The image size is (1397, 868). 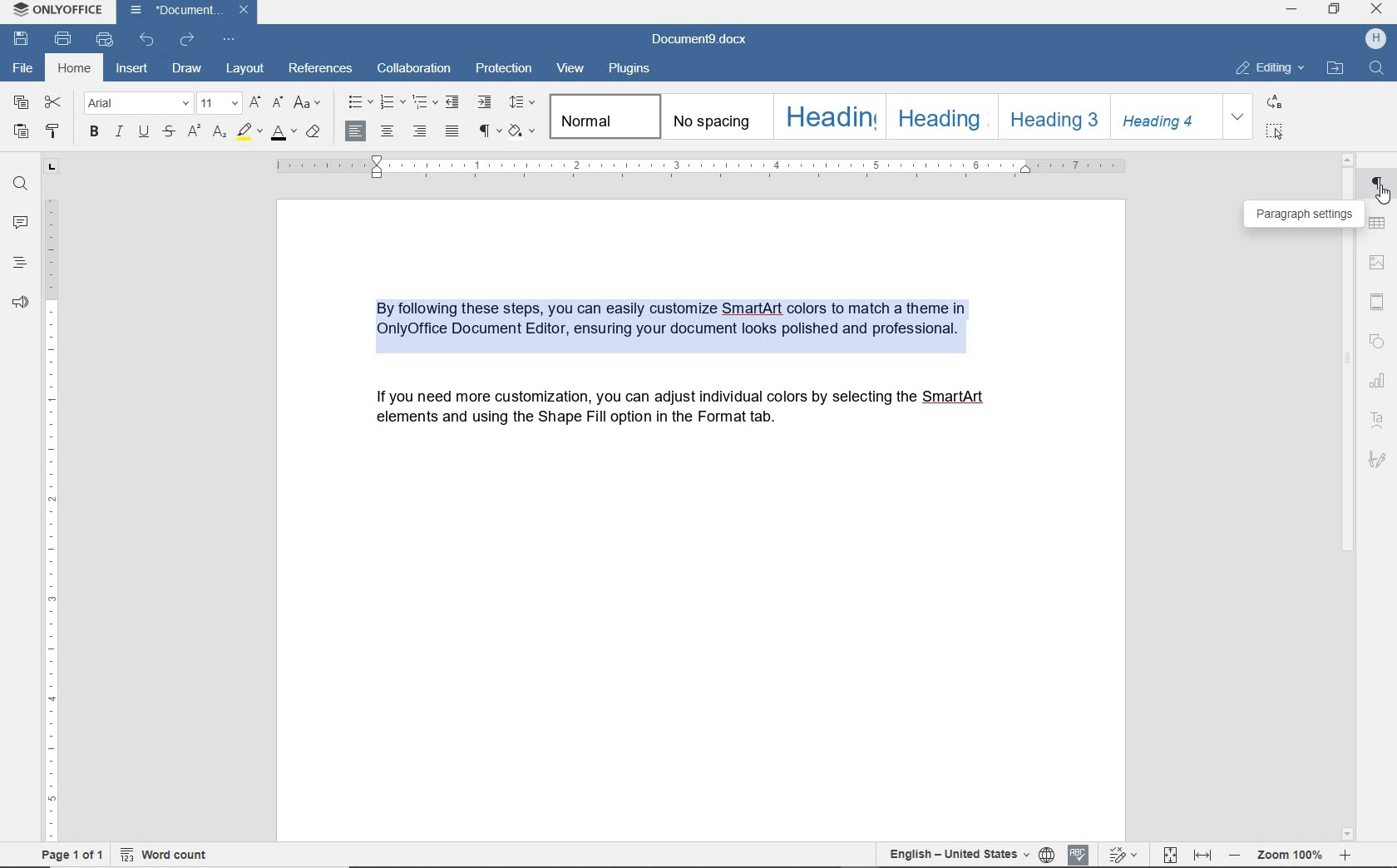 What do you see at coordinates (146, 42) in the screenshot?
I see `undo` at bounding box center [146, 42].